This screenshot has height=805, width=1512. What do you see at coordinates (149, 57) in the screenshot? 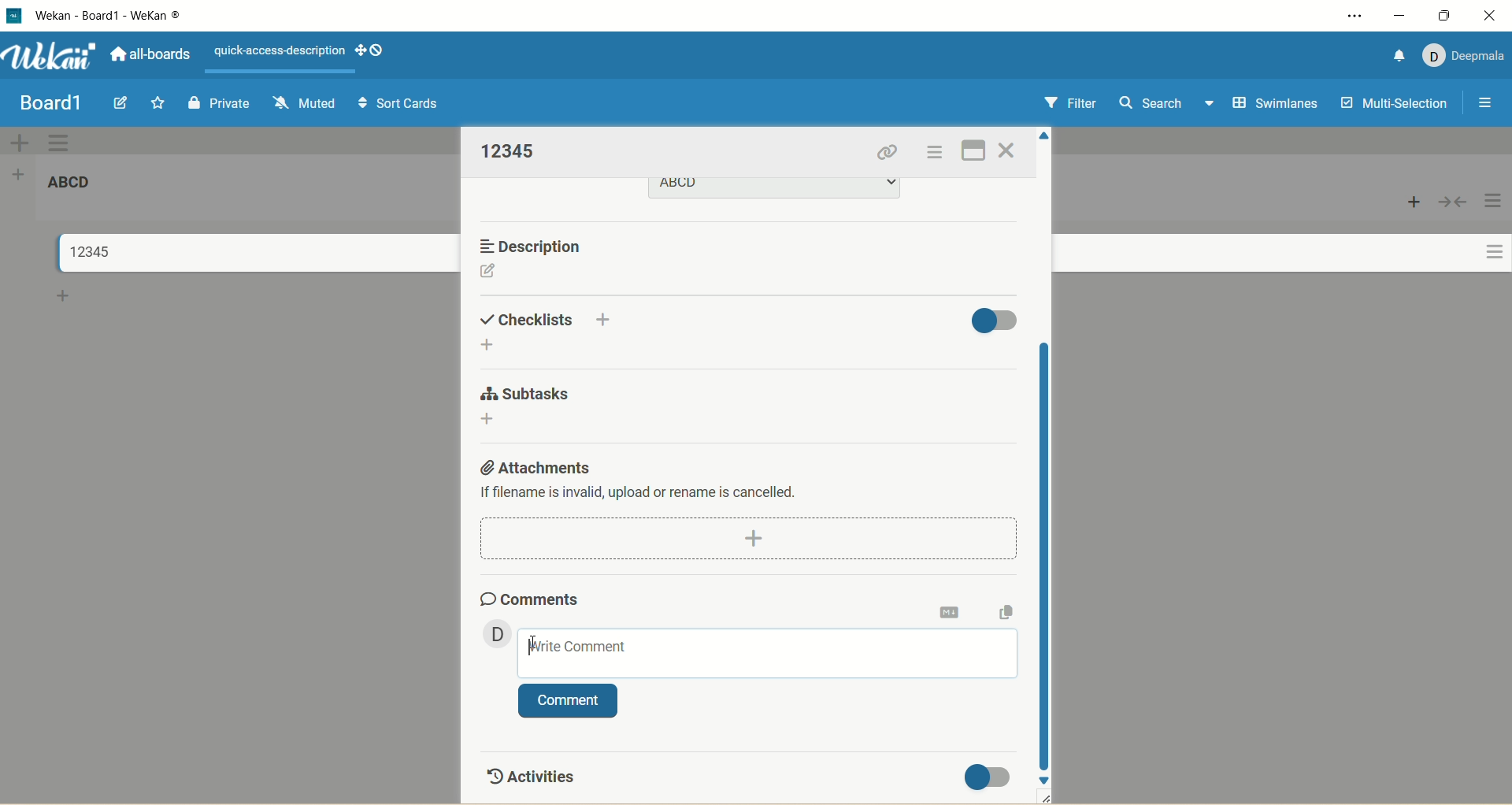
I see `all boards` at bounding box center [149, 57].